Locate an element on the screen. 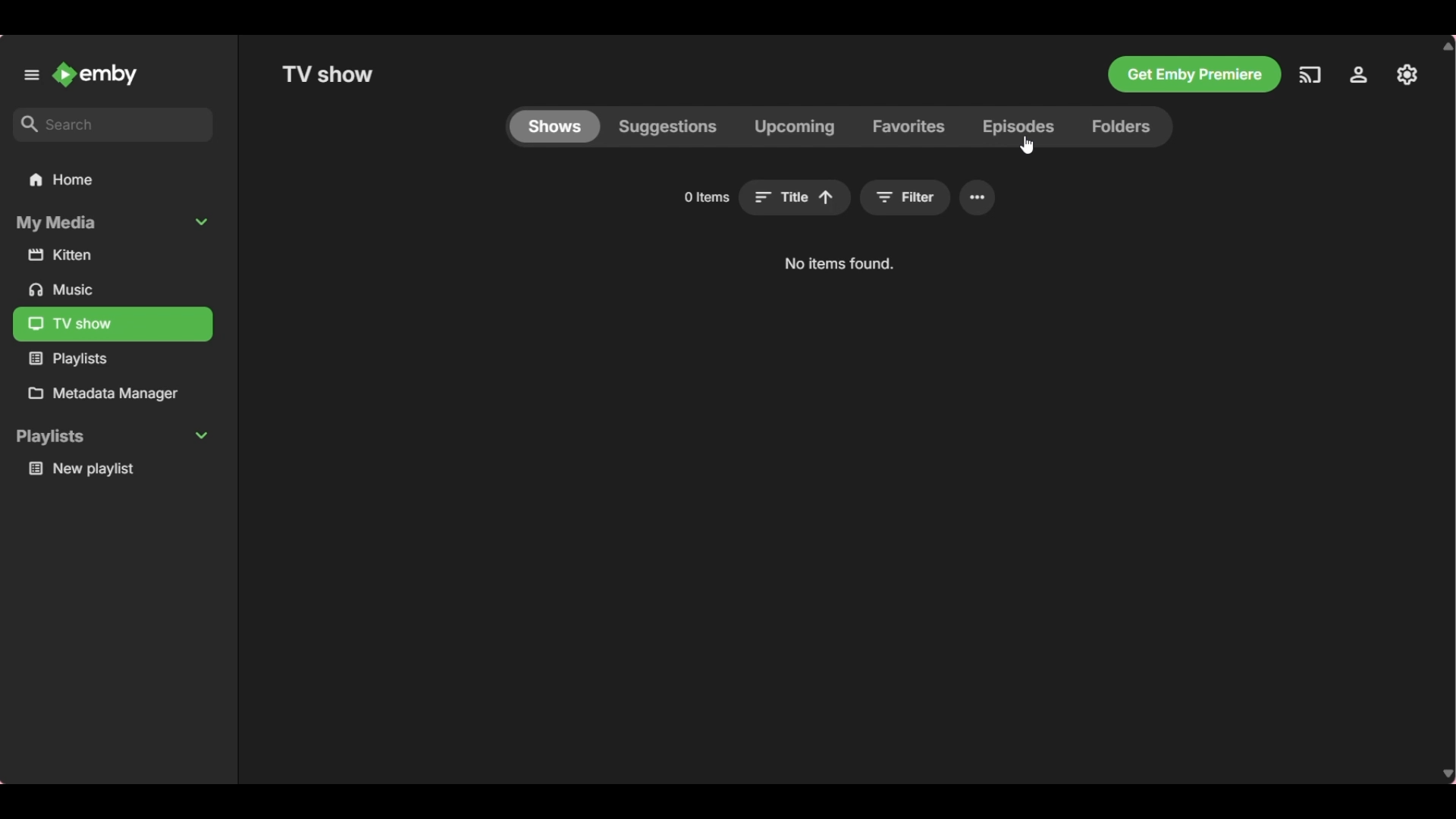  Home folder, current selection is located at coordinates (62, 181).